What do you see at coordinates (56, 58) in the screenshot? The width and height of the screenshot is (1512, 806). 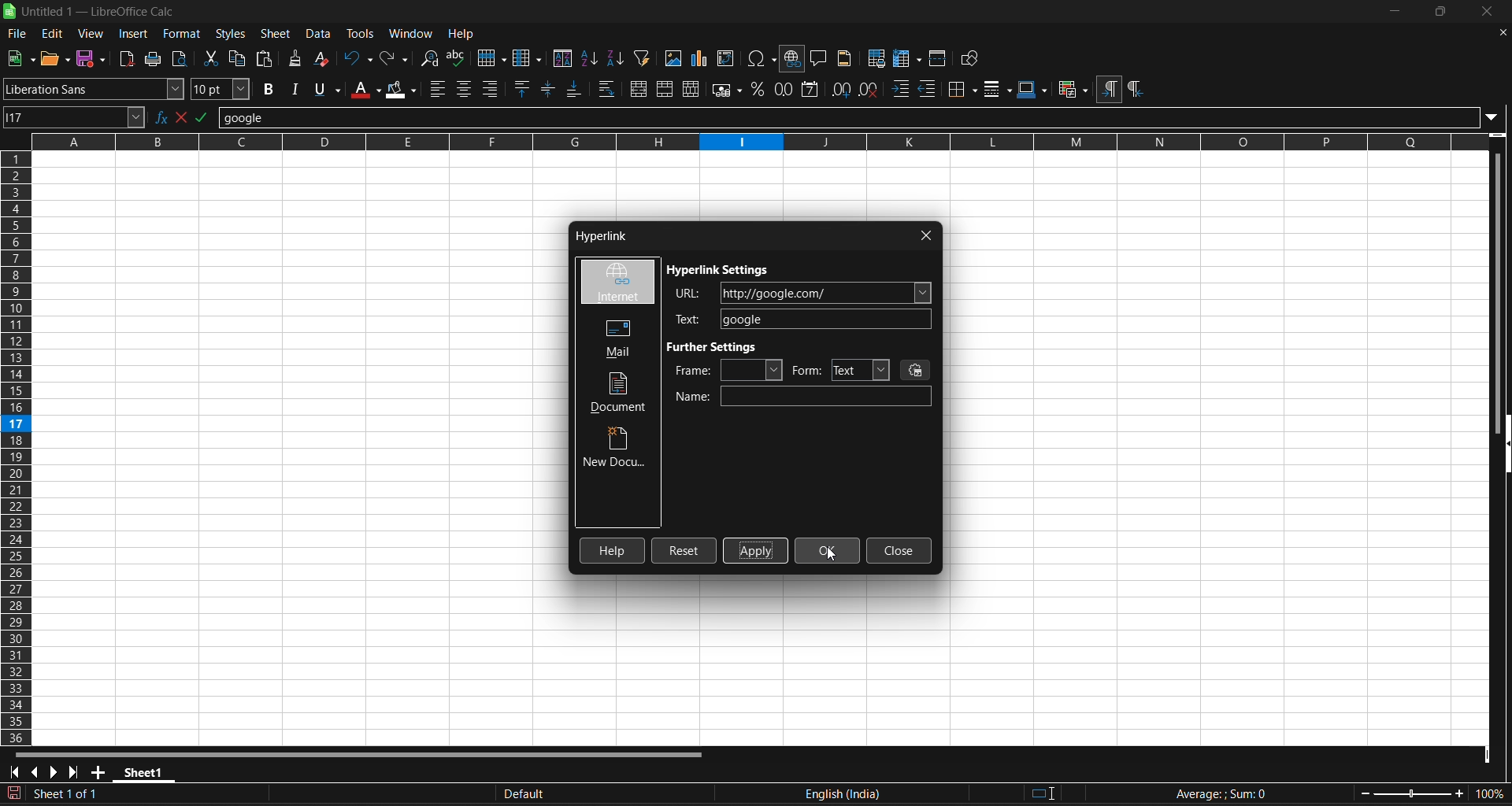 I see `new` at bounding box center [56, 58].